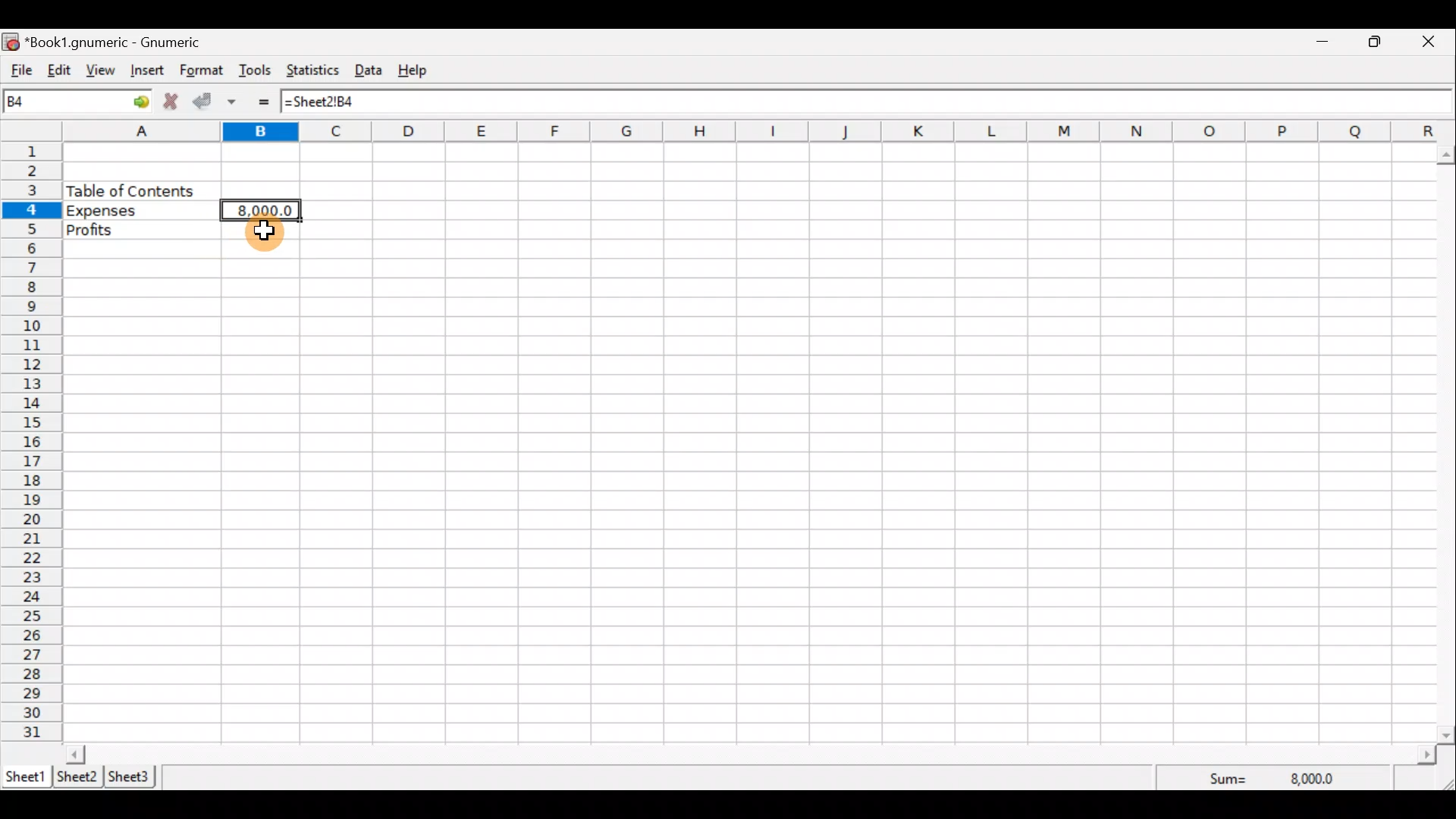 The width and height of the screenshot is (1456, 819). What do you see at coordinates (121, 42) in the screenshot?
I see `“Book1.gnumeric - Gnumeric` at bounding box center [121, 42].